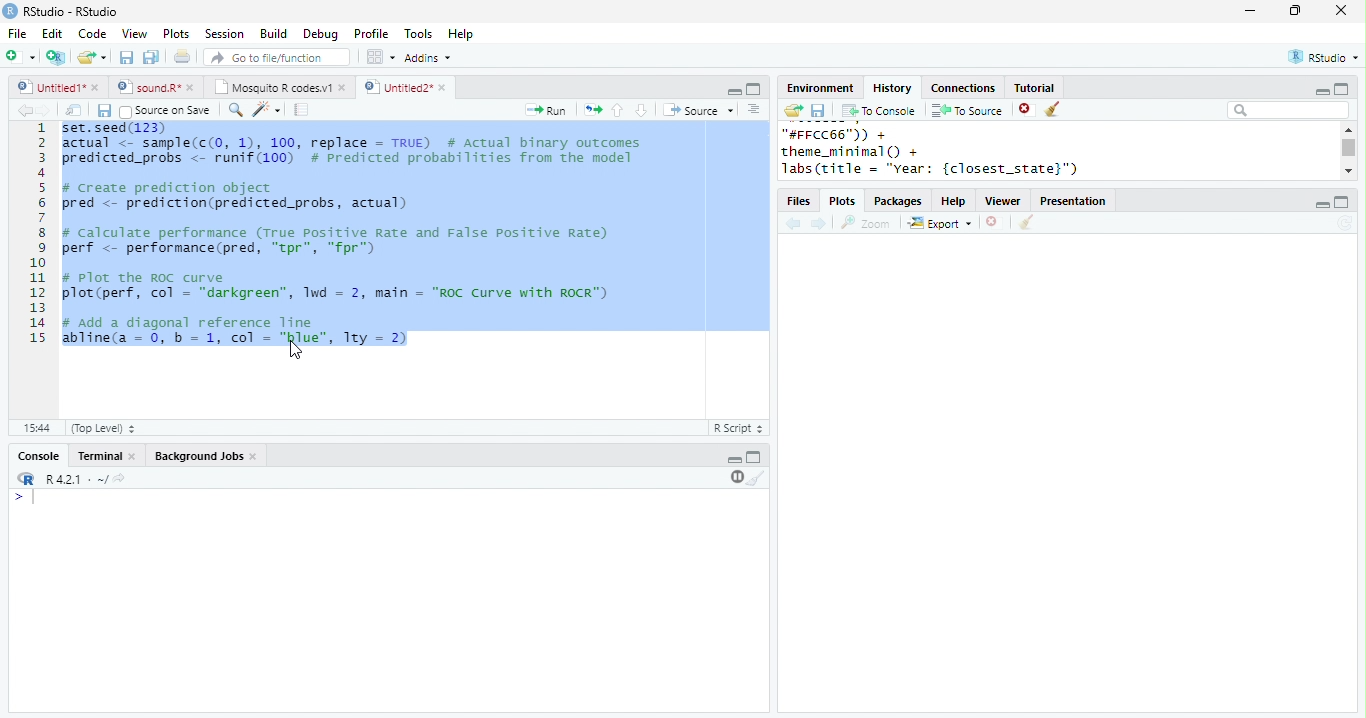 This screenshot has width=1366, height=718. What do you see at coordinates (355, 148) in the screenshot?
I see `set.seed(123) actual <- sample(c(0, 1), 100, replace = TRUE) # Actual binary outcomespredicted probs < runif(100) # Predicted probabilities from the model` at bounding box center [355, 148].